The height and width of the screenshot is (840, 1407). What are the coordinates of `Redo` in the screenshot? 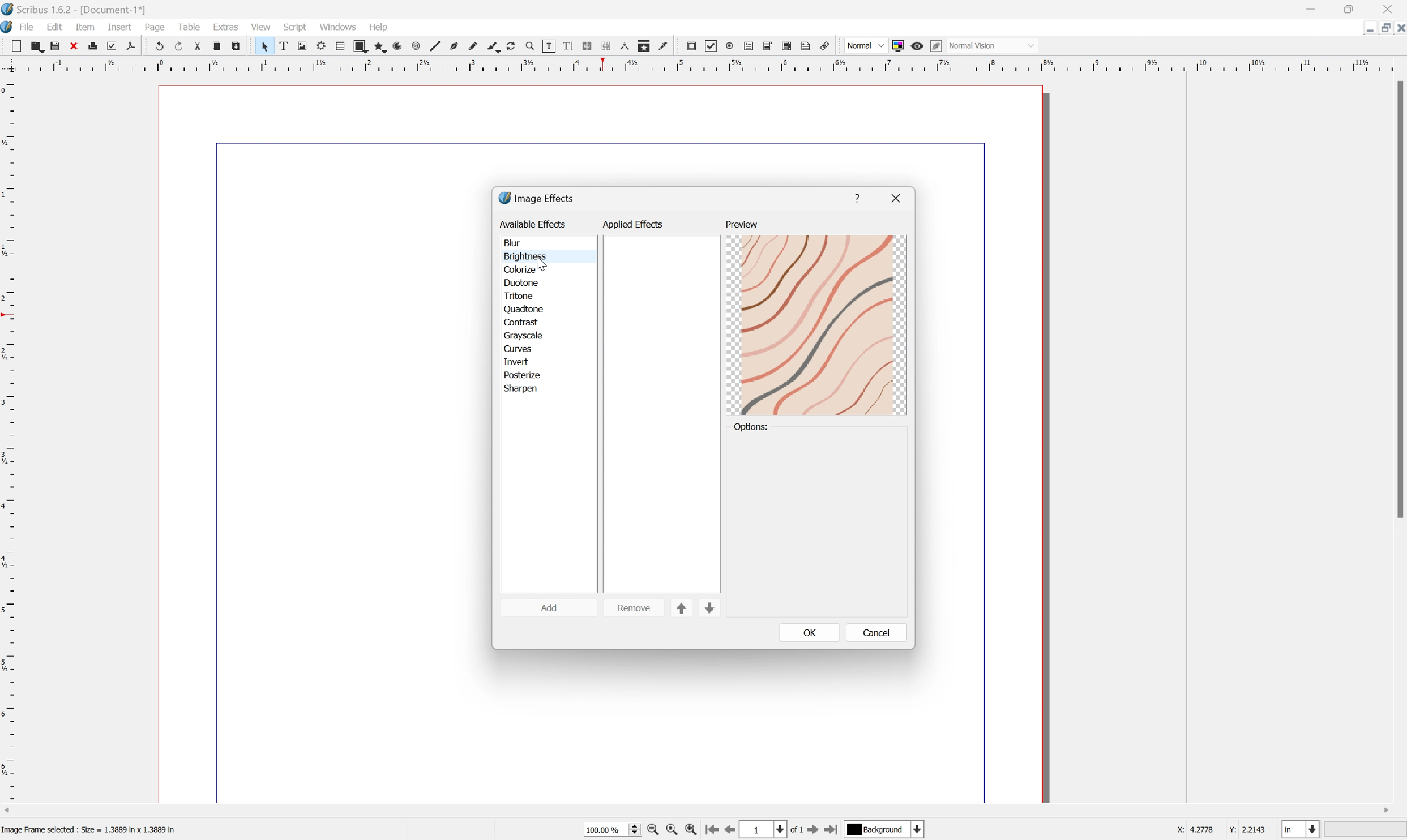 It's located at (177, 45).